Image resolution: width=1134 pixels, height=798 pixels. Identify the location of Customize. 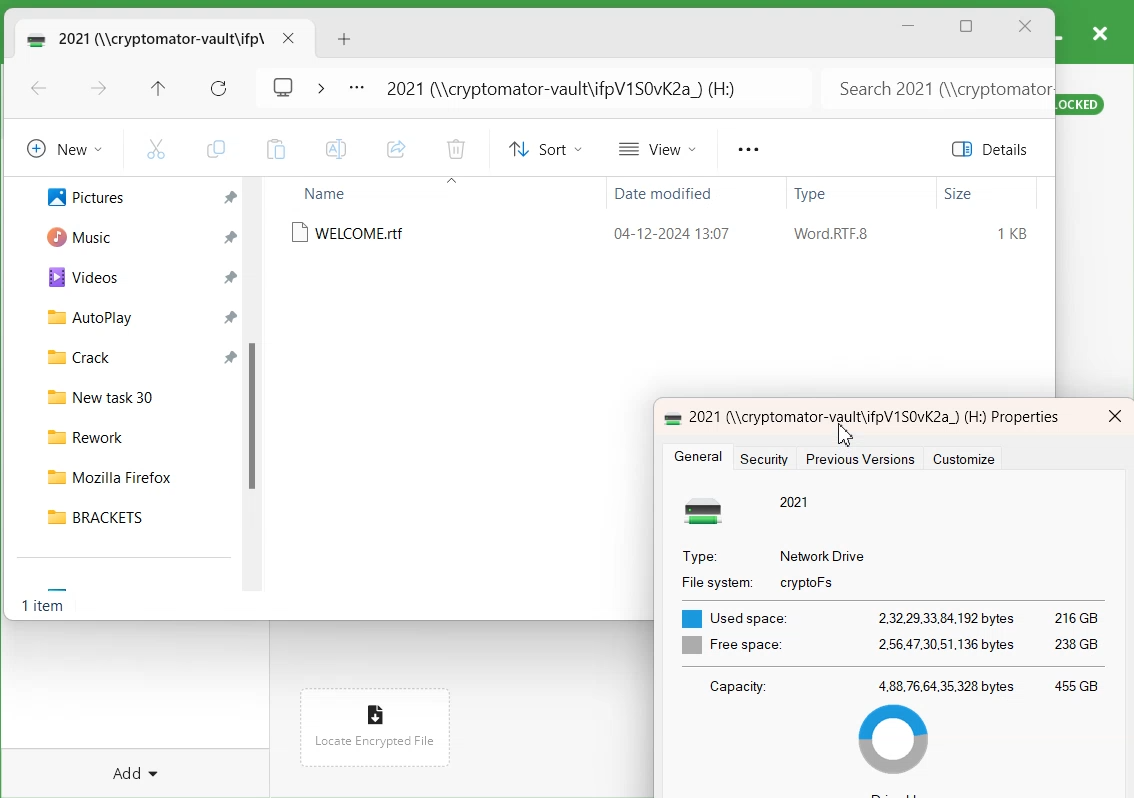
(969, 460).